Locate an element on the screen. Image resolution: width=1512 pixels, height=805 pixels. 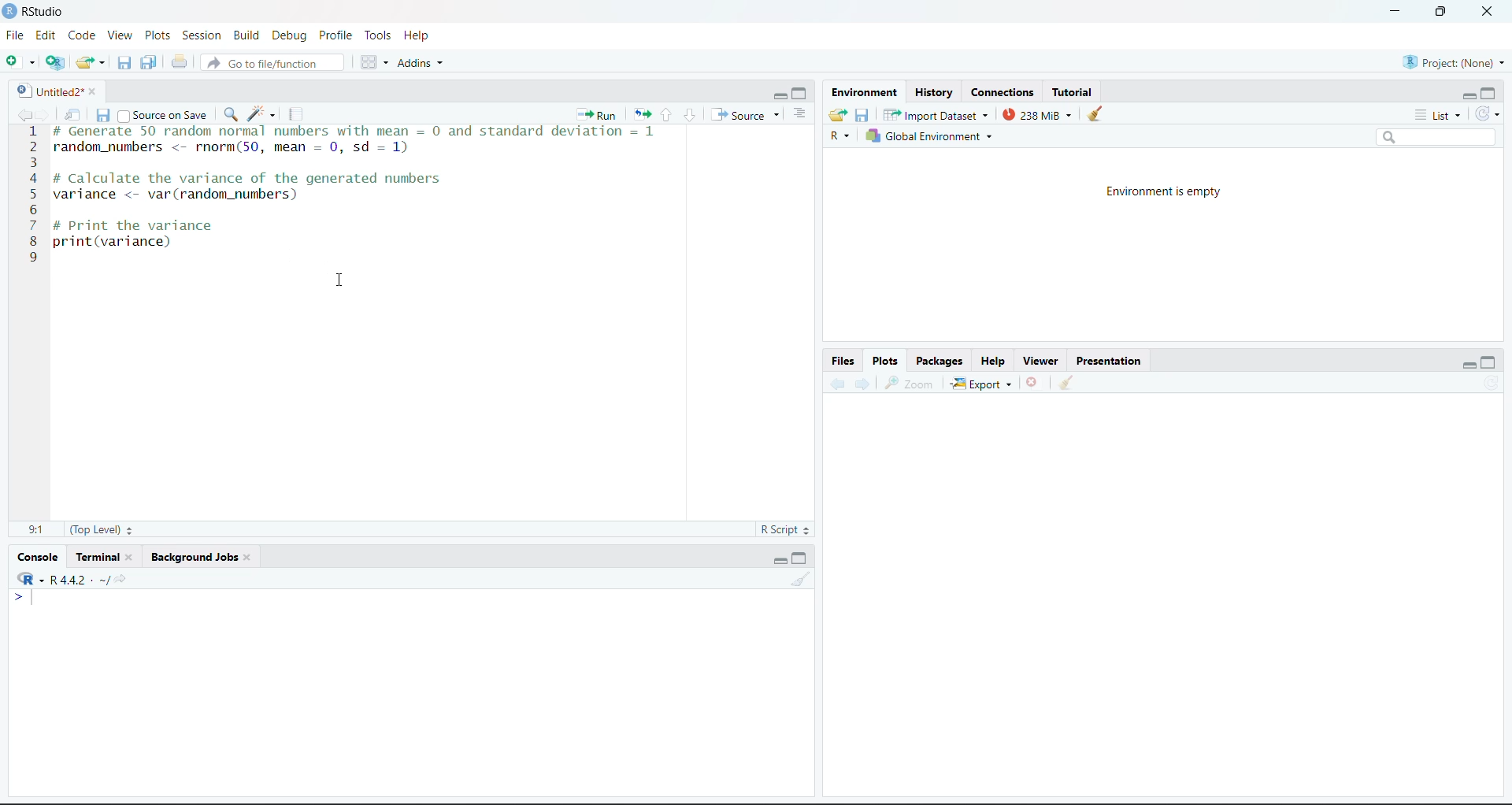
> is located at coordinates (24, 597).